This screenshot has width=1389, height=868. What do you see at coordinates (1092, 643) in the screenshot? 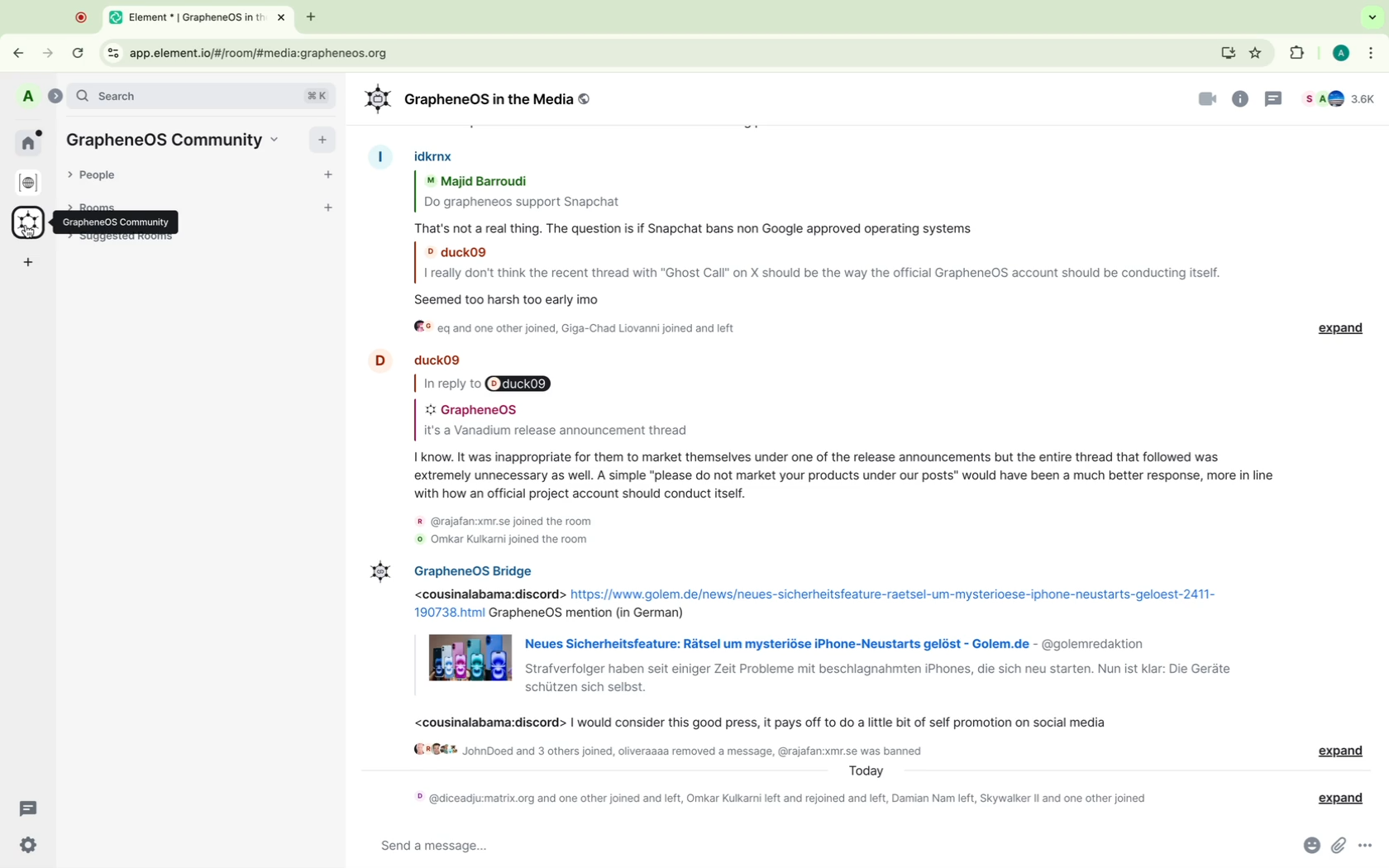
I see `@golemredaktion` at bounding box center [1092, 643].